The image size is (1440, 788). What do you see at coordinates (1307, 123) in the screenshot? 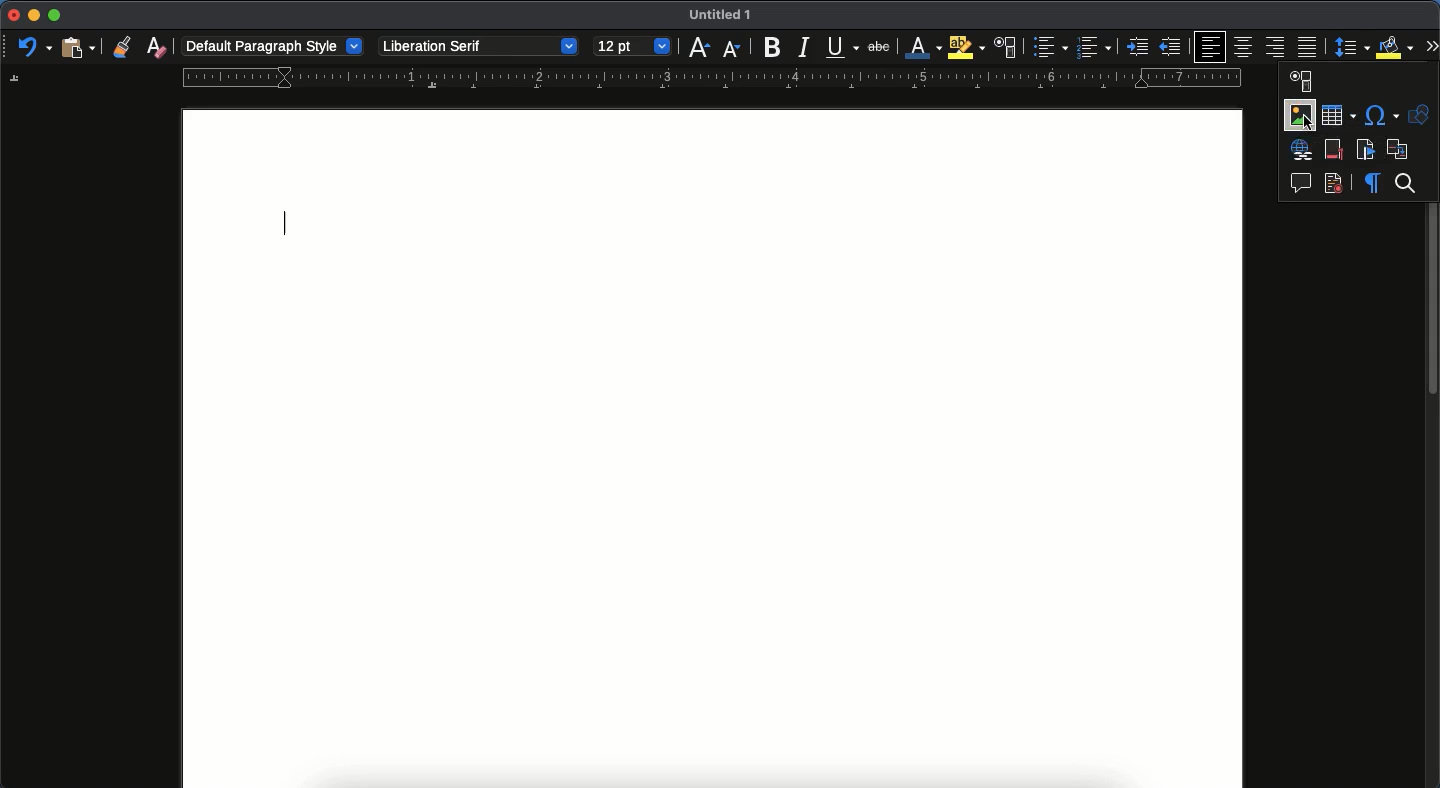
I see `Cursor` at bounding box center [1307, 123].